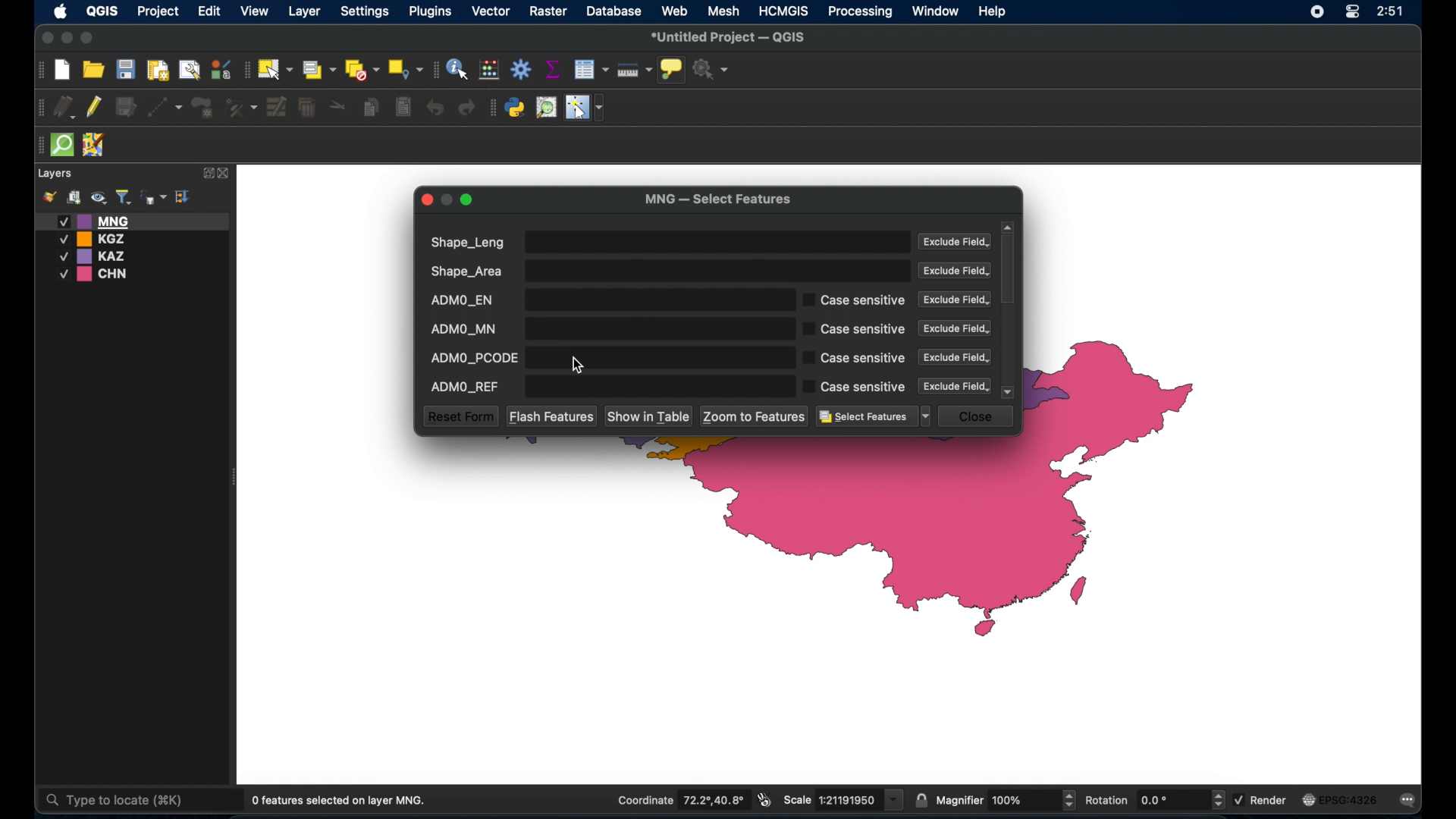 This screenshot has height=819, width=1456. I want to click on select features, so click(275, 69).